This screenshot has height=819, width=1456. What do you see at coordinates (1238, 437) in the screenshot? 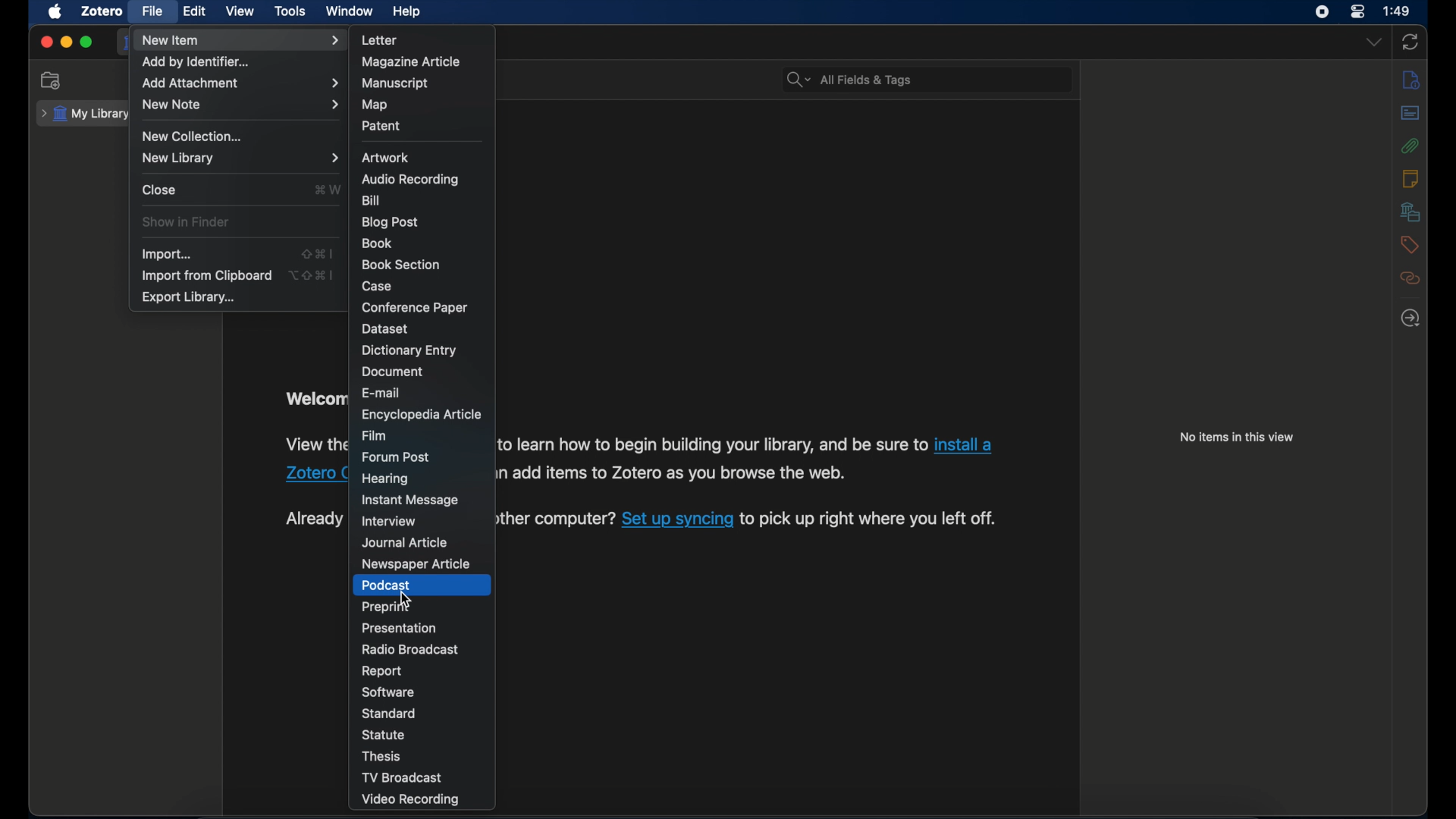
I see `no items in this view` at bounding box center [1238, 437].